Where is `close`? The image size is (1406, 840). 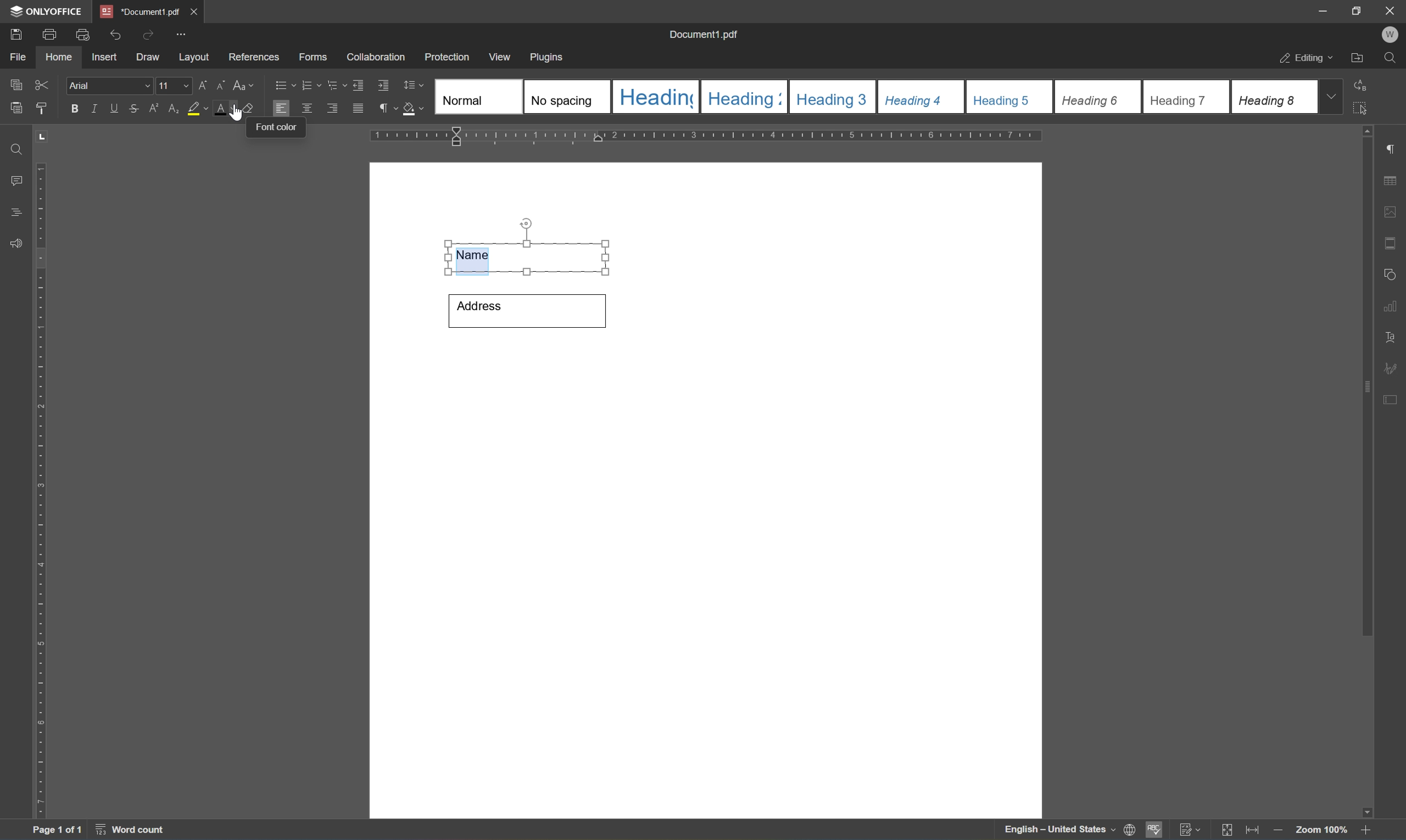
close is located at coordinates (196, 9).